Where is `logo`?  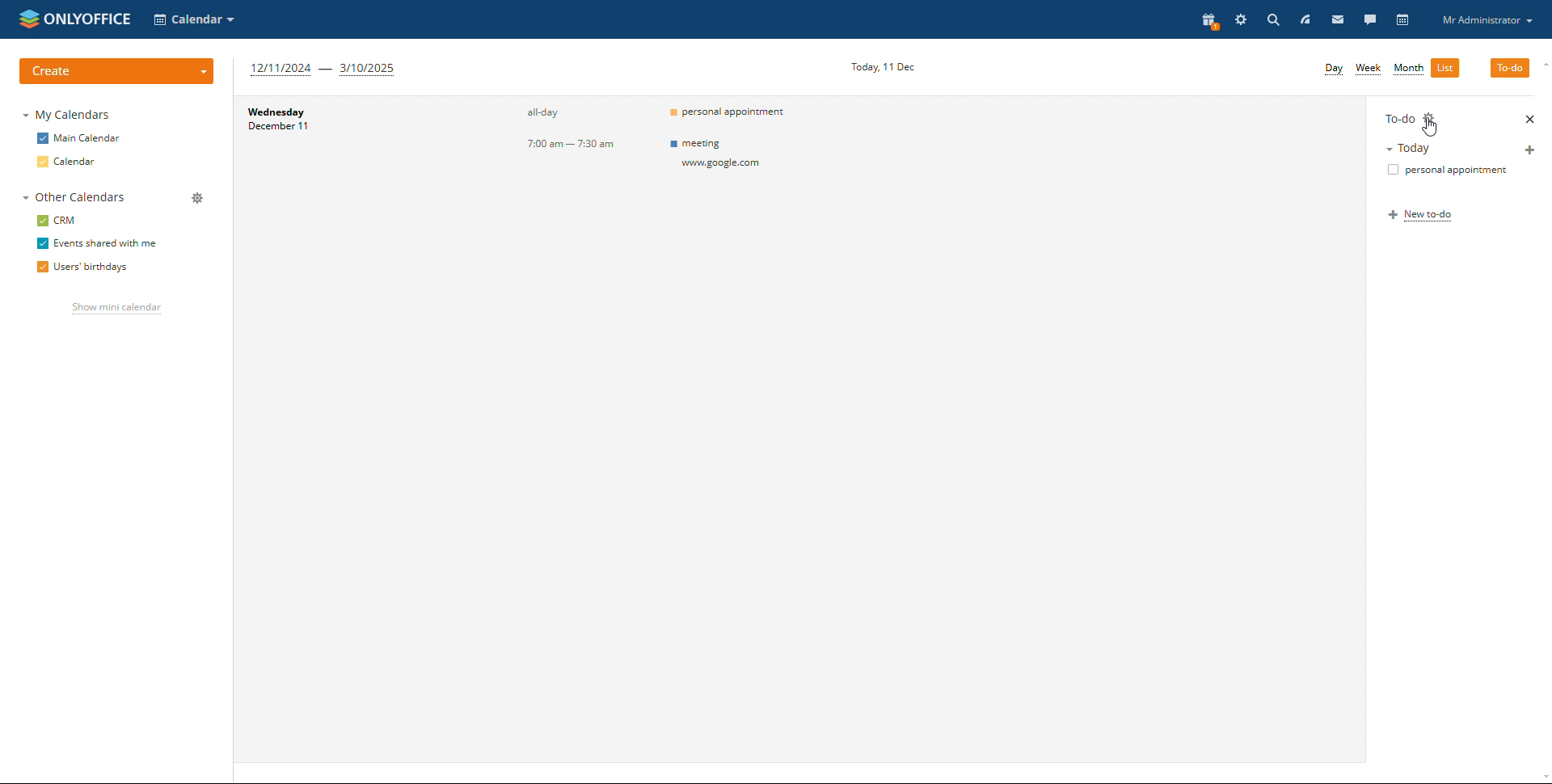 logo is located at coordinates (77, 19).